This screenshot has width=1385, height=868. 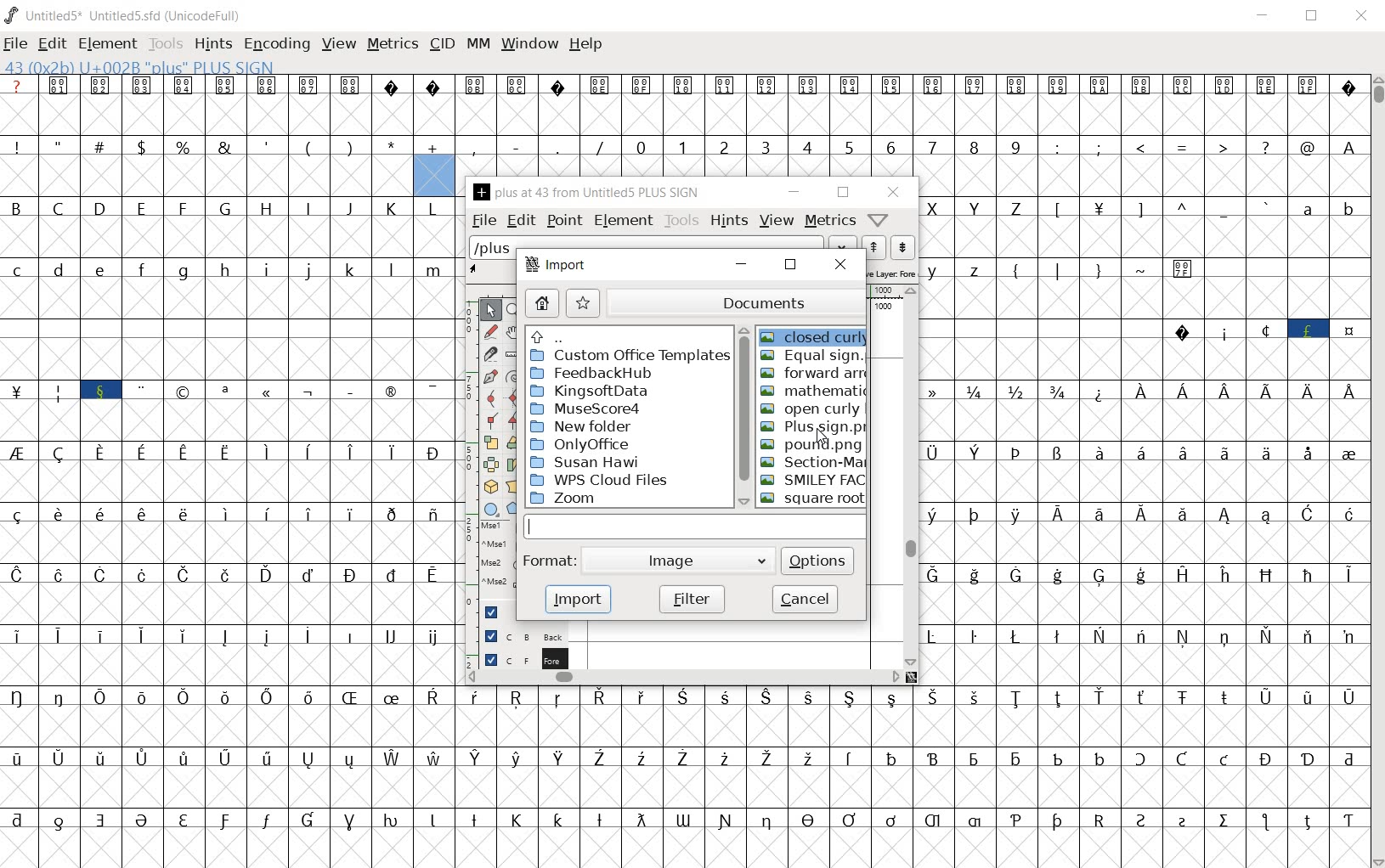 I want to click on OPEN CURLY, so click(x=815, y=410).